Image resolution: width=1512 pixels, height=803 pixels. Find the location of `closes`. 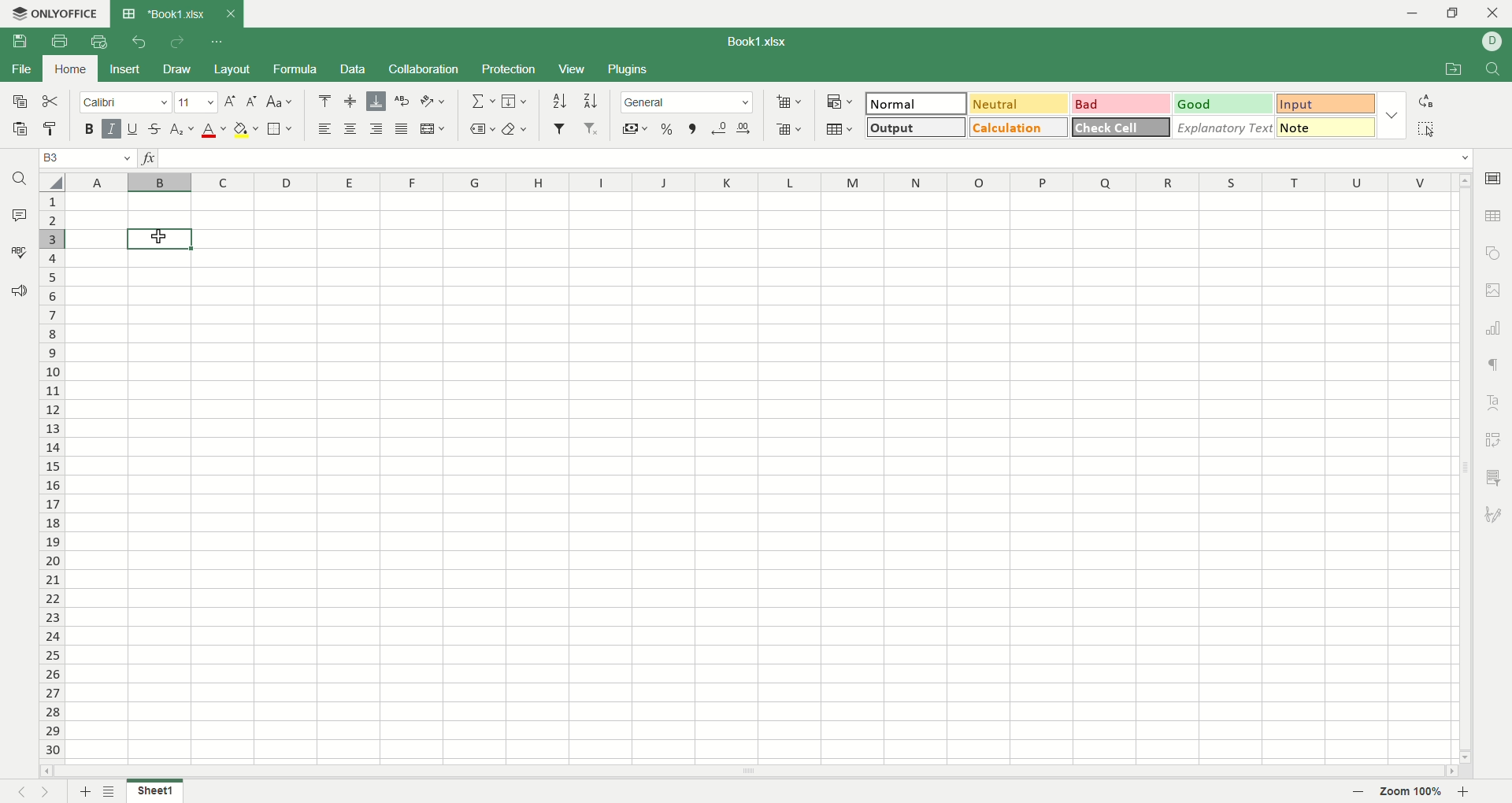

closes is located at coordinates (228, 13).